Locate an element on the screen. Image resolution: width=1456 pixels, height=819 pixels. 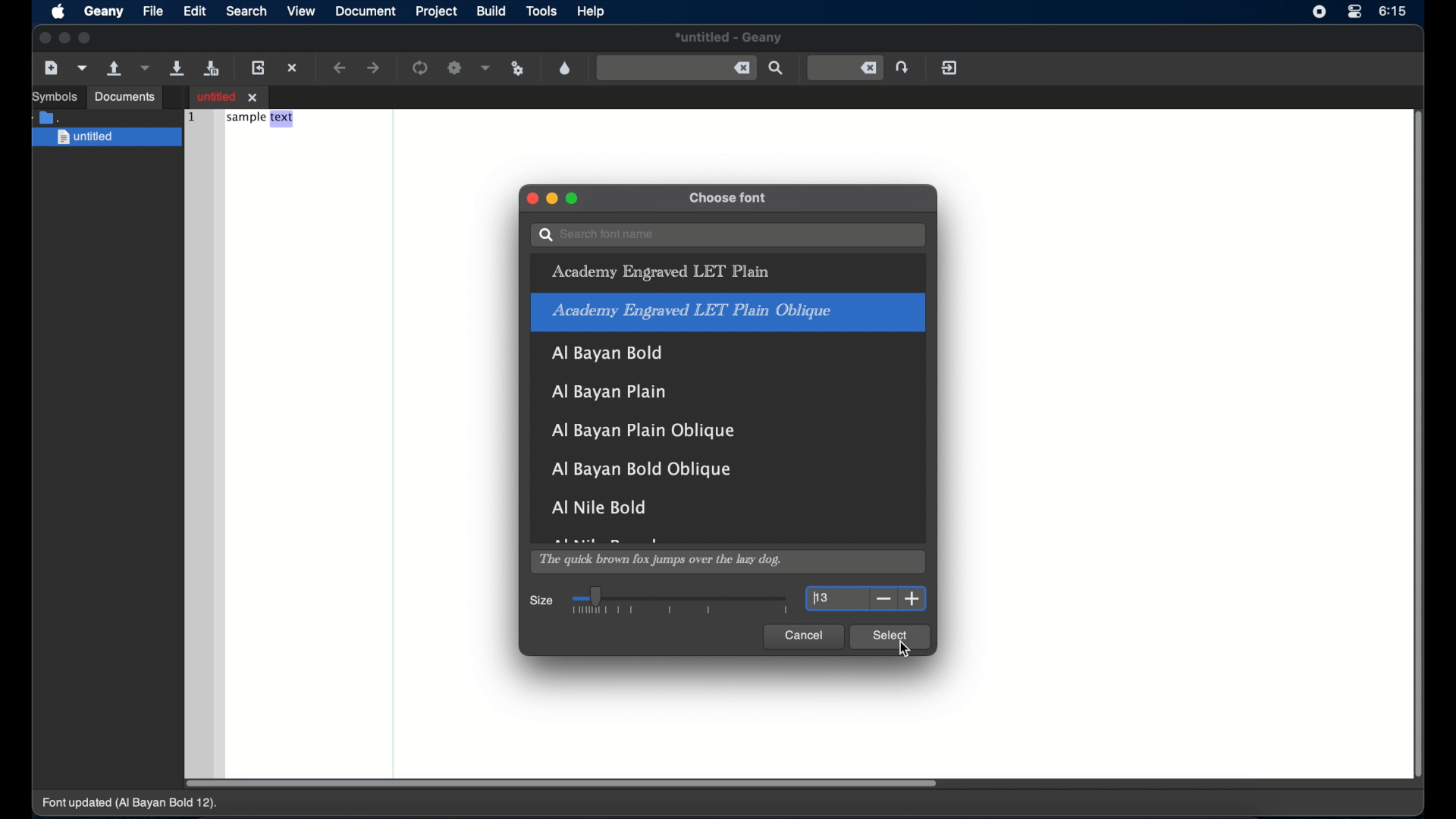
choose font is located at coordinates (730, 199).